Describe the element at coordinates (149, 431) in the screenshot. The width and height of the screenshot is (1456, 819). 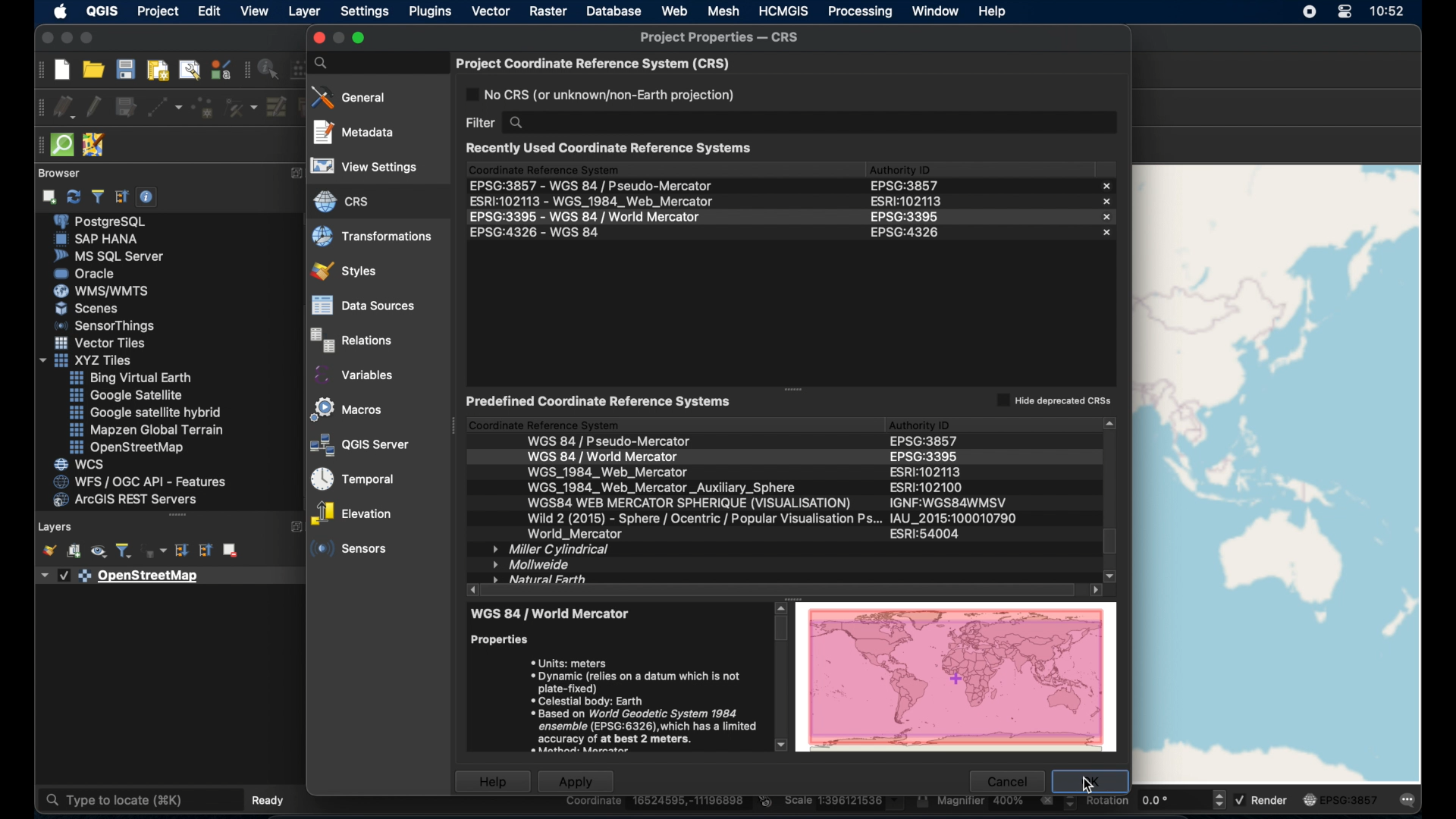
I see `mapzen global terrain` at that location.